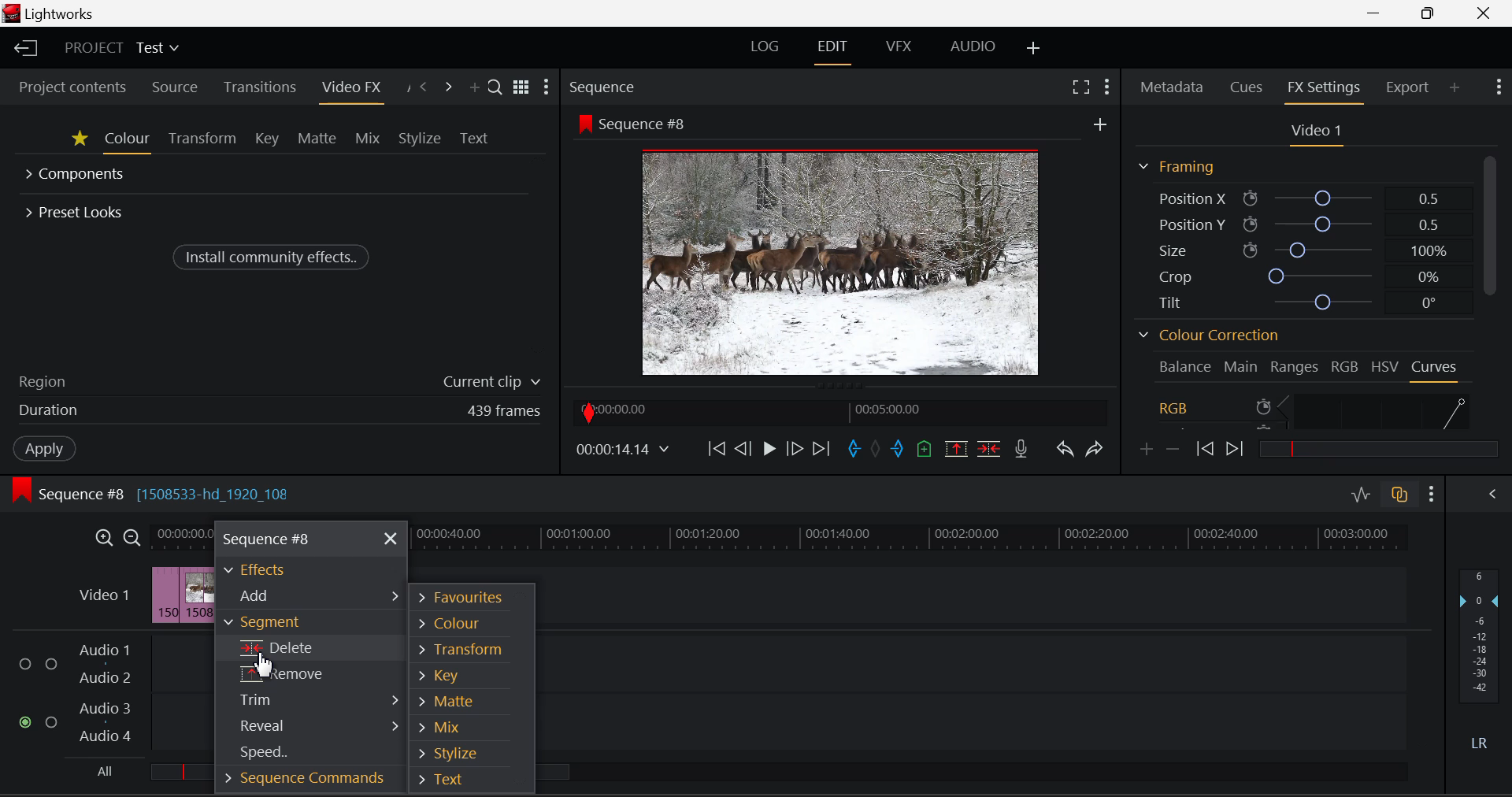 The image size is (1512, 797). Describe the element at coordinates (64, 13) in the screenshot. I see `Lightworks` at that location.